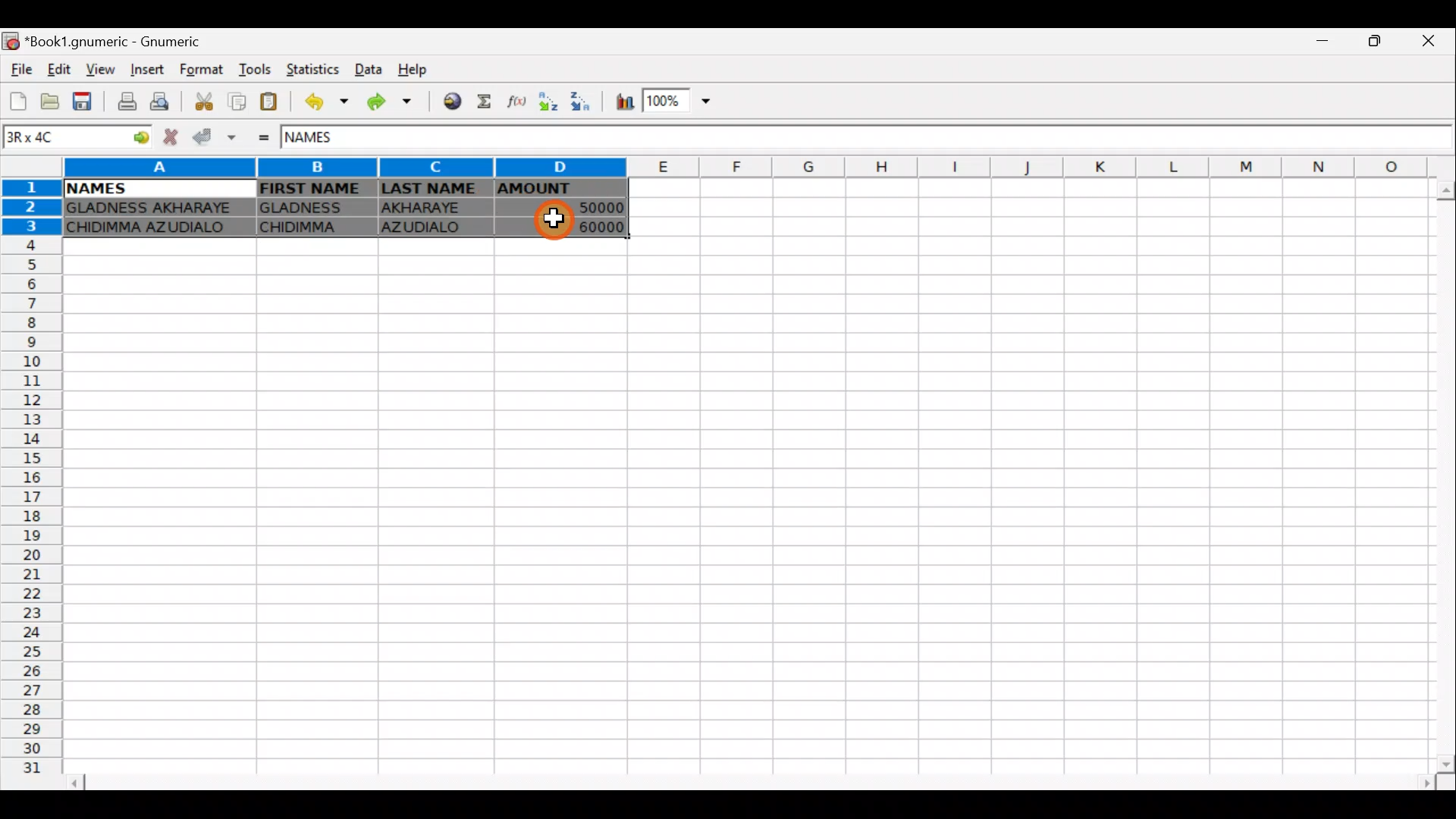 The image size is (1456, 819). What do you see at coordinates (1379, 42) in the screenshot?
I see `Maximize` at bounding box center [1379, 42].